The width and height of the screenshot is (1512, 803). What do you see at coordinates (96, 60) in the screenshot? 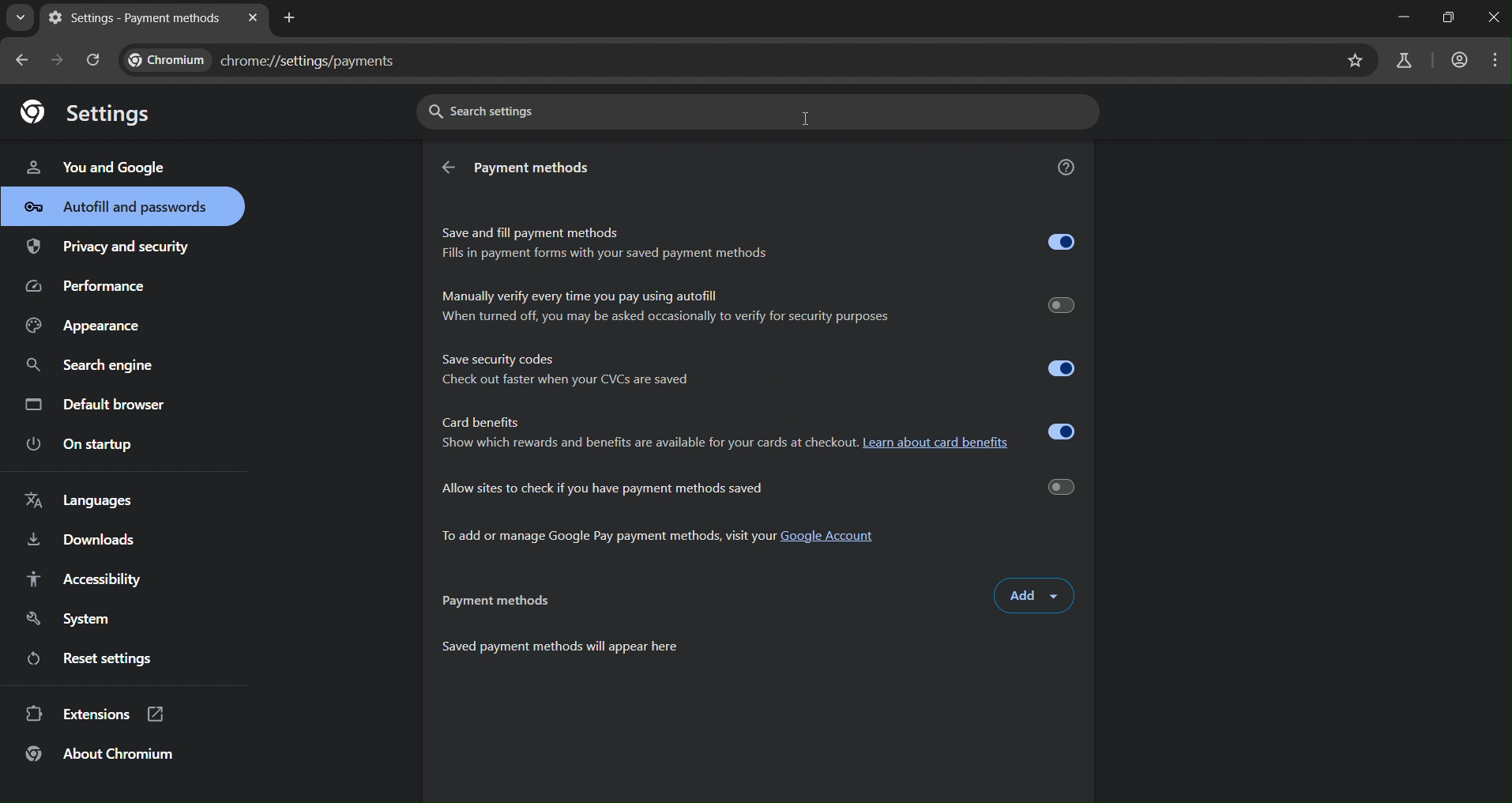
I see `reload page` at bounding box center [96, 60].